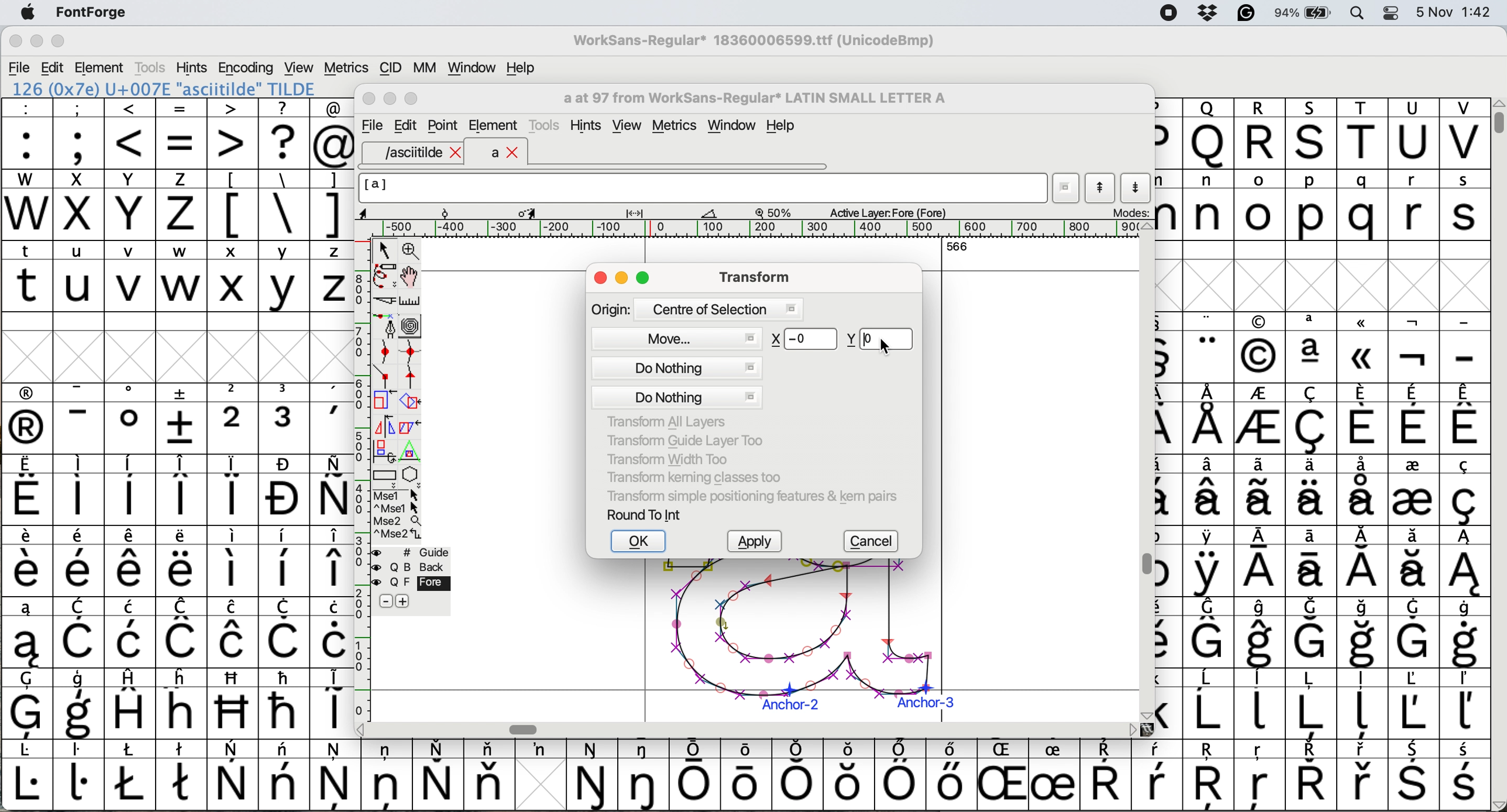 The image size is (1507, 812). I want to click on symbol, so click(232, 632).